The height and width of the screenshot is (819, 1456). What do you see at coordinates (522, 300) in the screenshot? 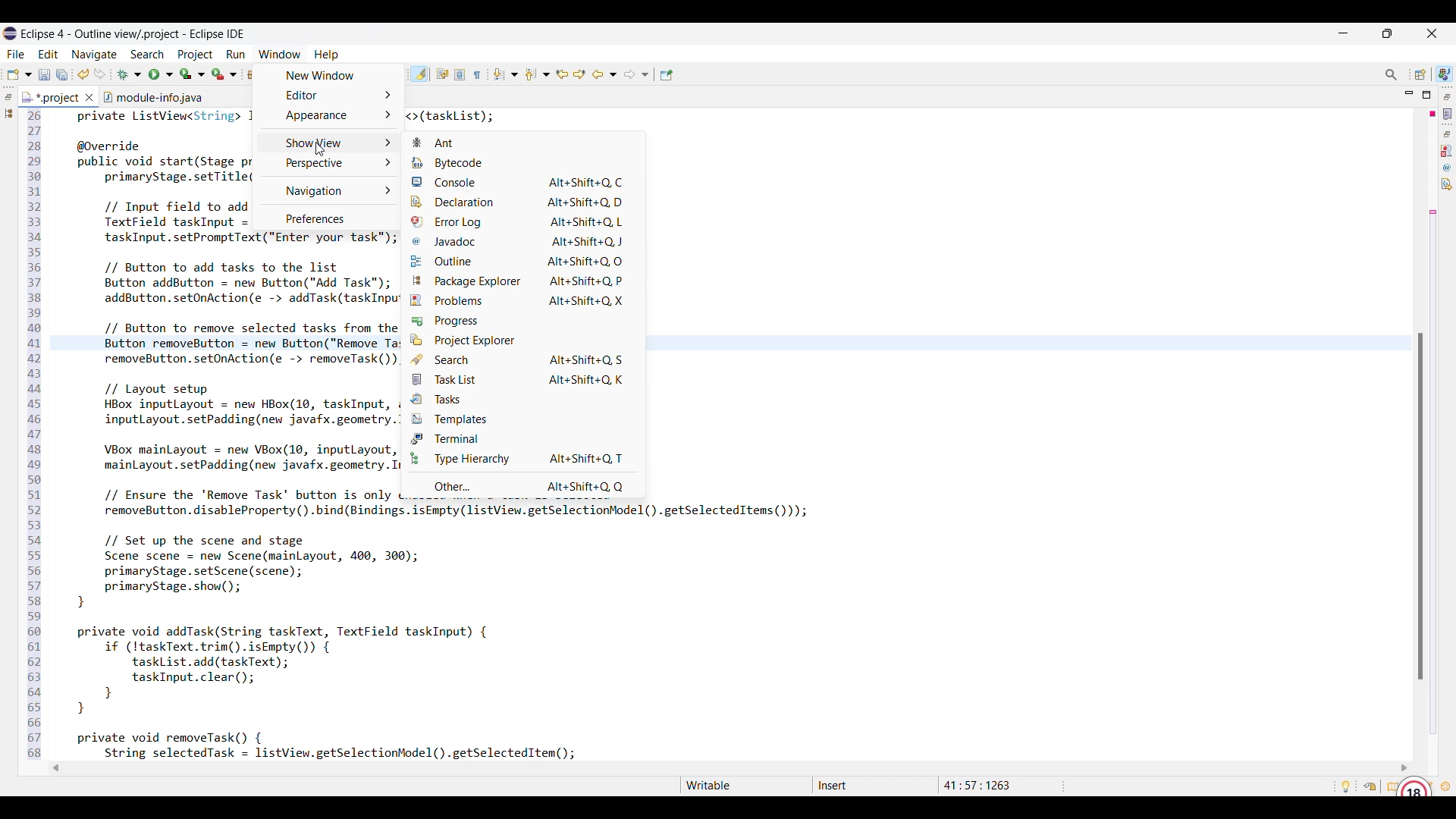
I see `Problems` at bounding box center [522, 300].